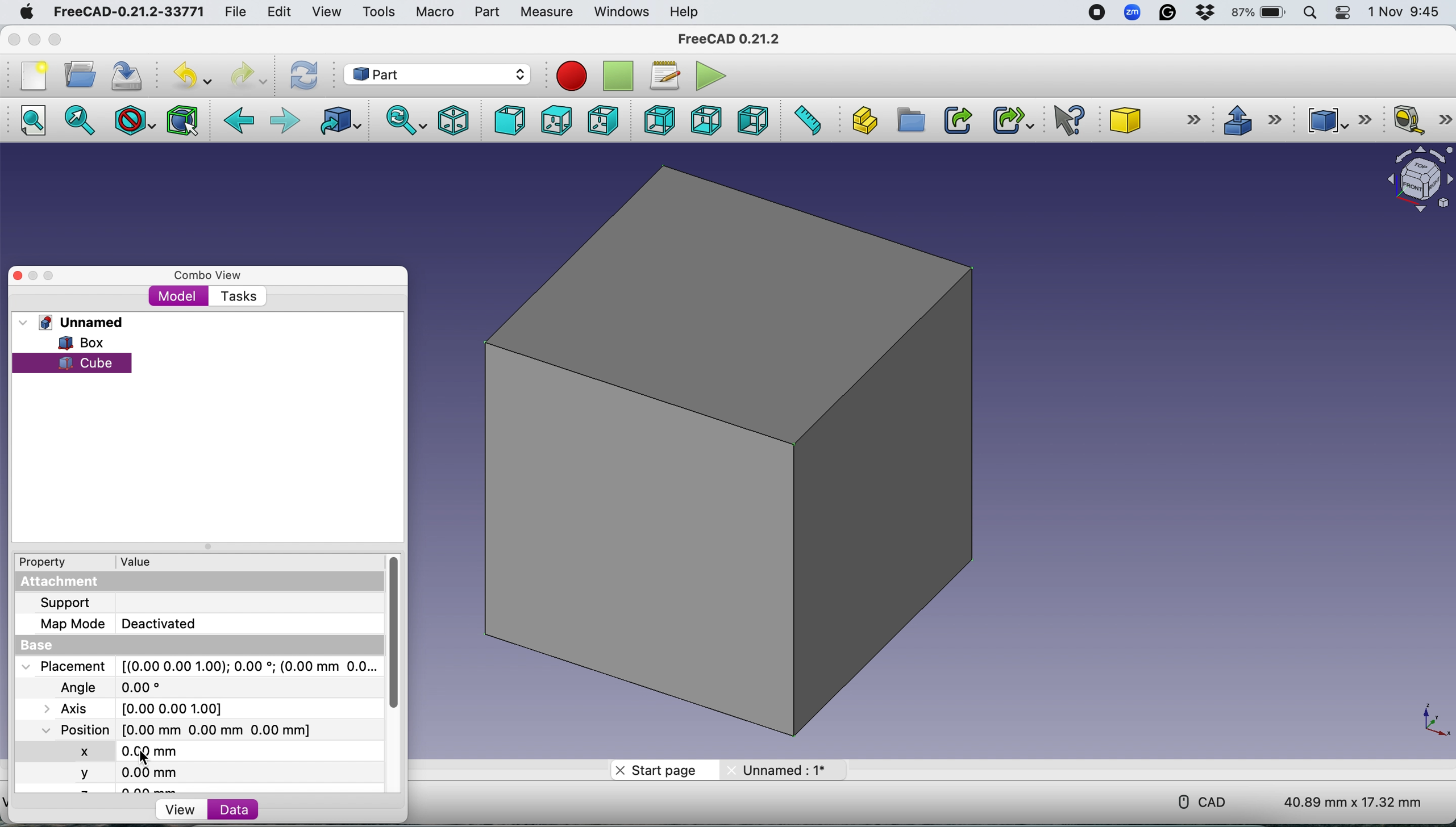 The image size is (1456, 827). What do you see at coordinates (238, 297) in the screenshot?
I see `Tasks` at bounding box center [238, 297].